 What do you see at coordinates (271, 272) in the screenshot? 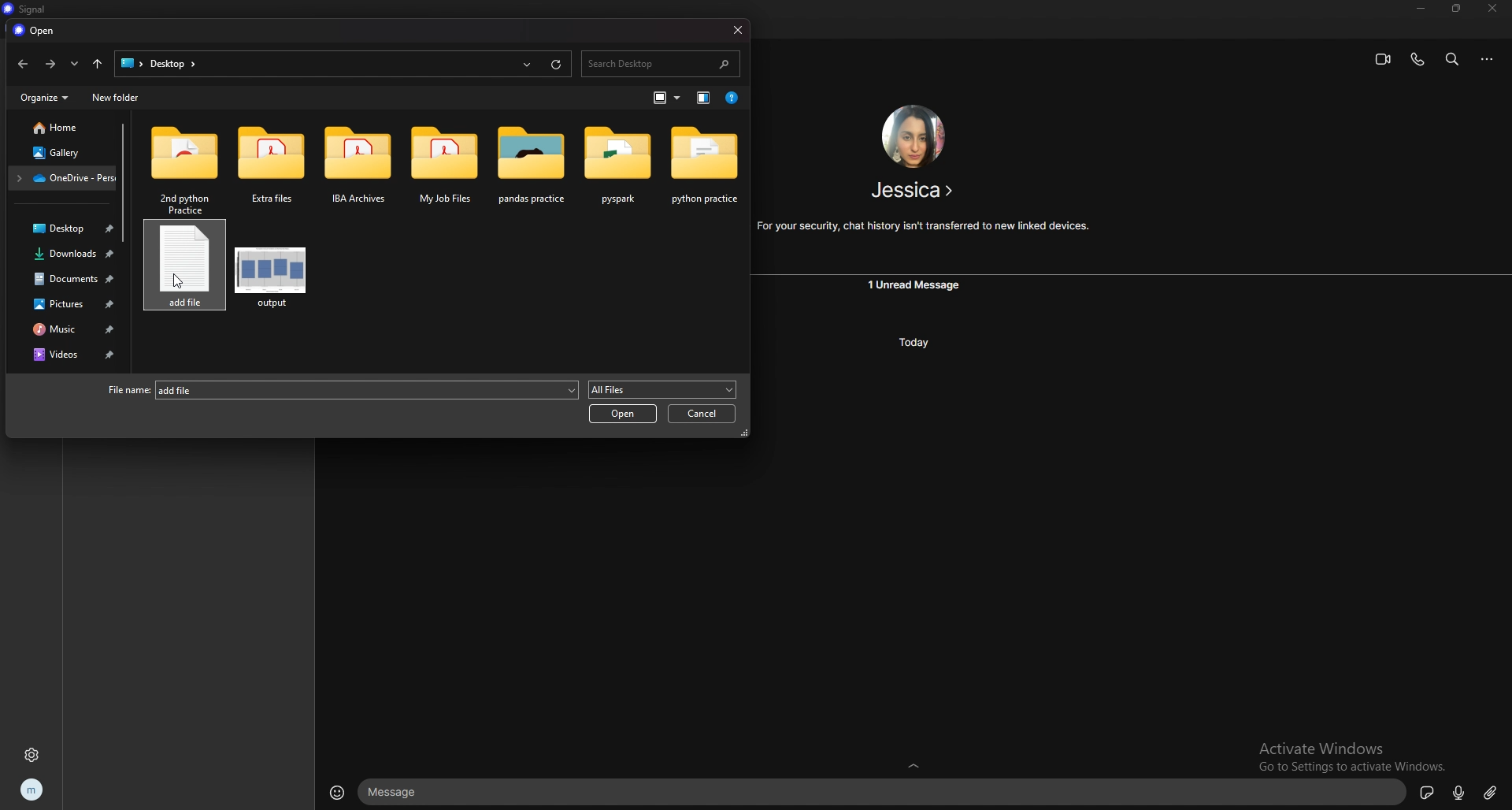
I see `file` at bounding box center [271, 272].